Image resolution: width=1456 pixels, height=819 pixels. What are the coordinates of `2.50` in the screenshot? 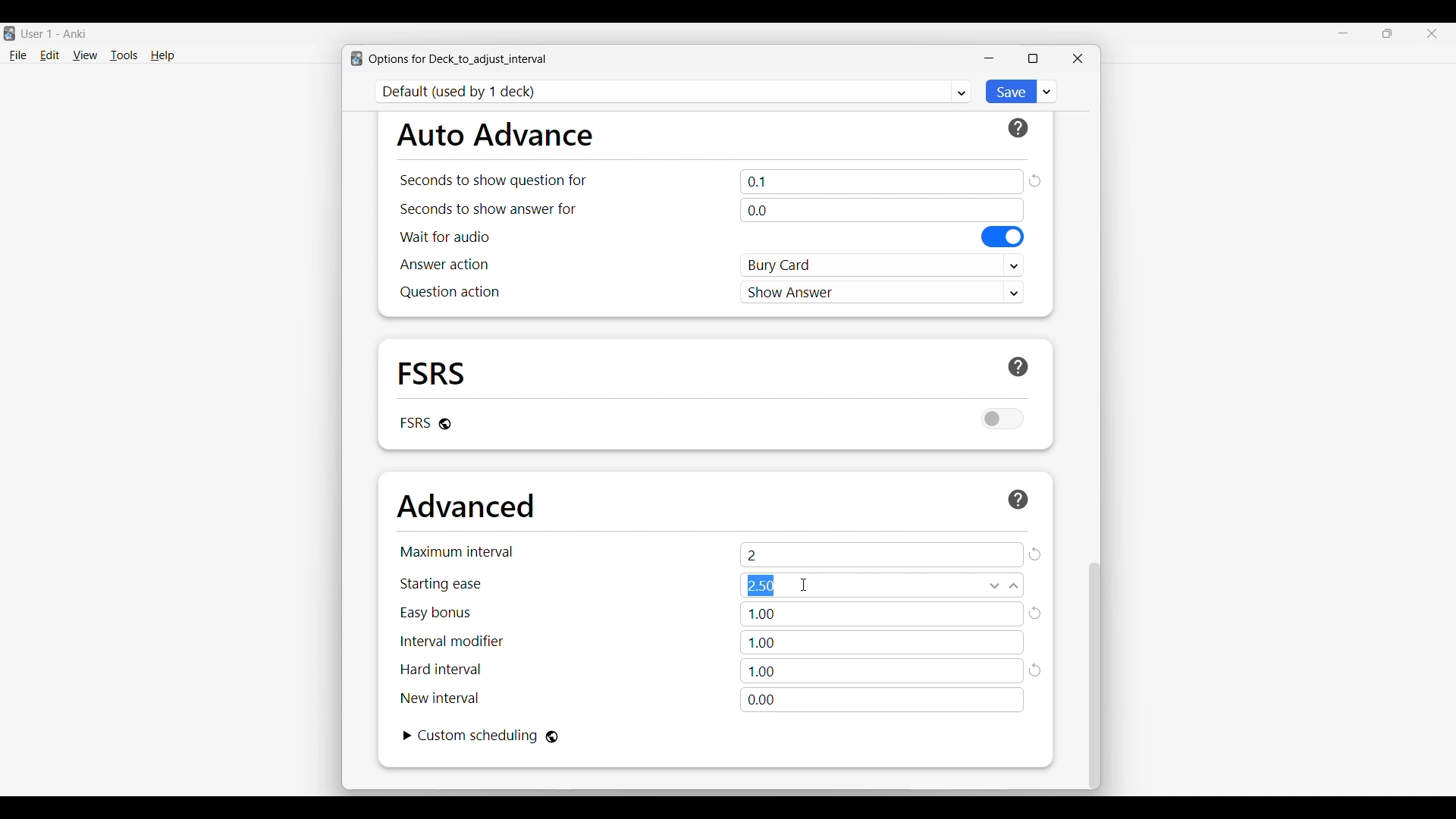 It's located at (882, 585).